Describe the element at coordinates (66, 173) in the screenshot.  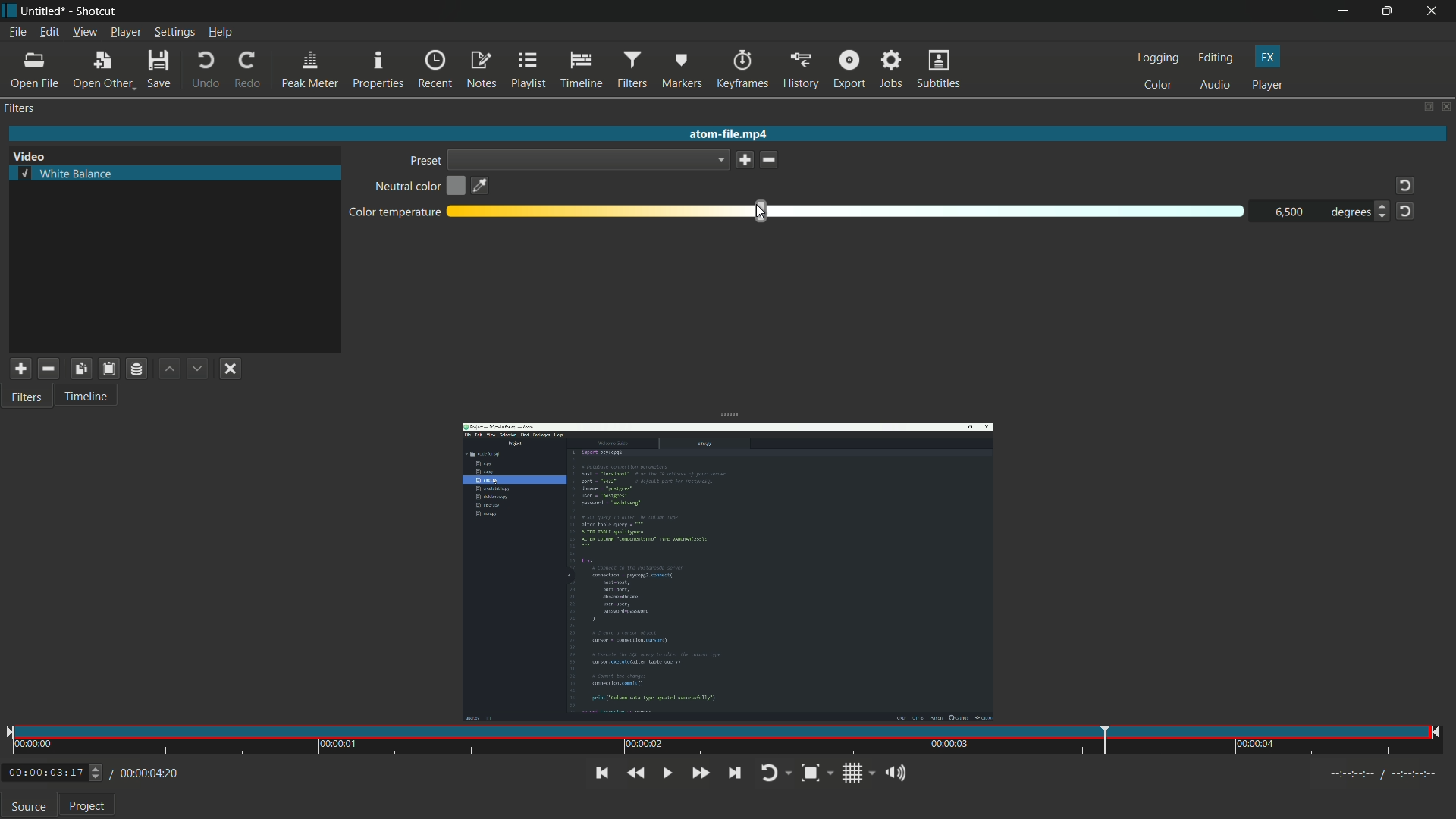
I see `white balance filter selected` at that location.